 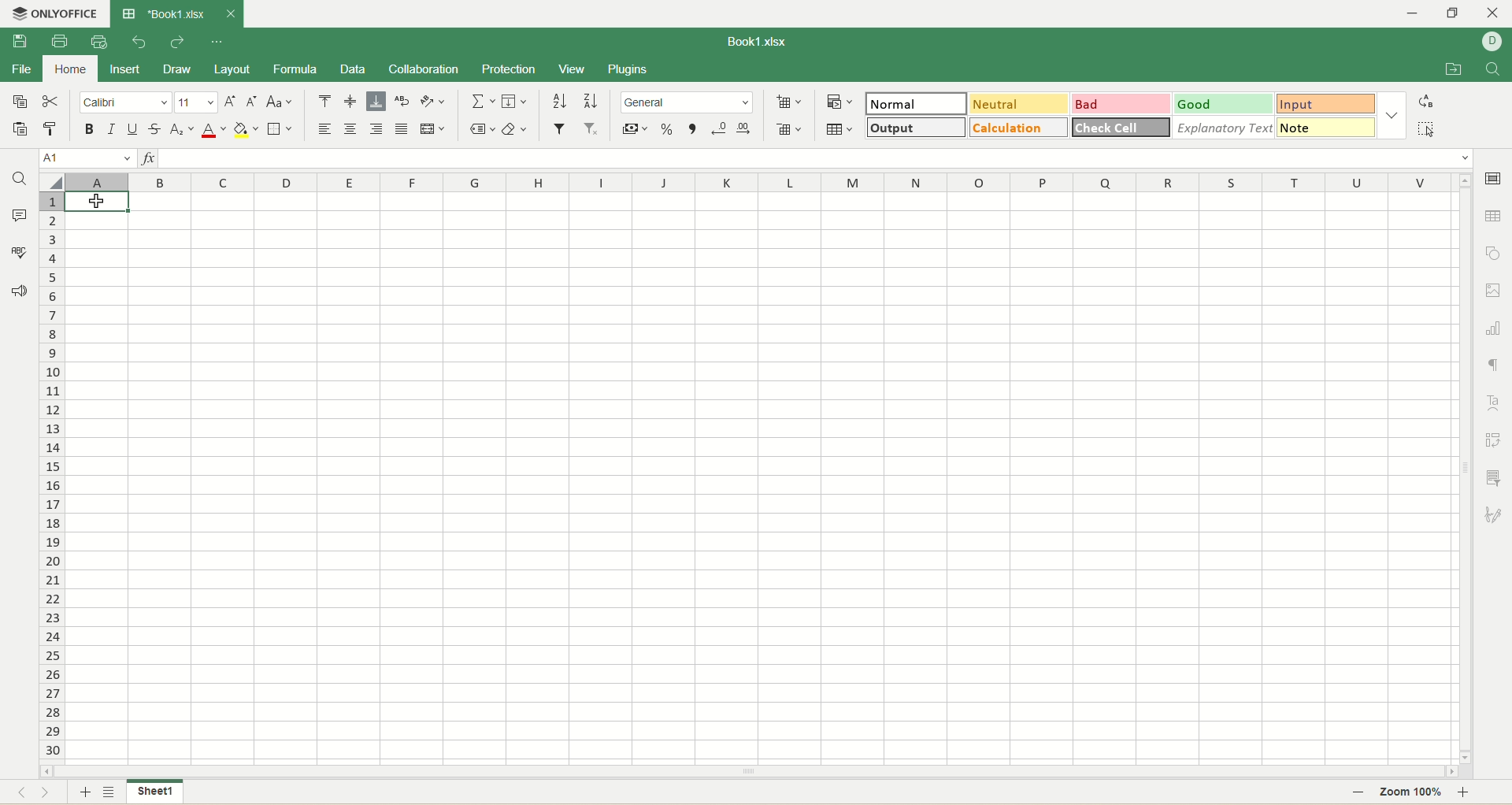 What do you see at coordinates (483, 129) in the screenshot?
I see `named ranges` at bounding box center [483, 129].